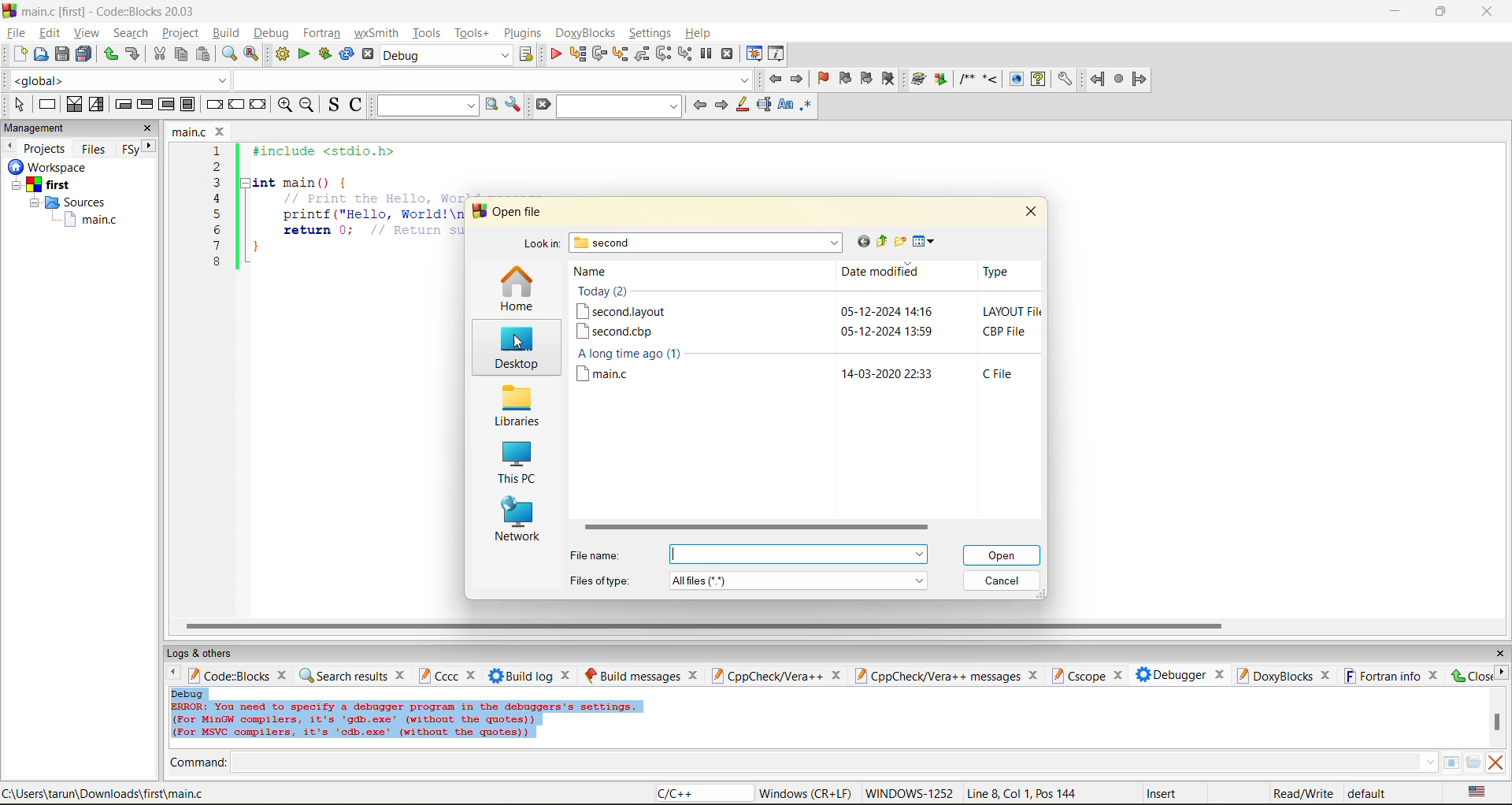  Describe the element at coordinates (472, 33) in the screenshot. I see `tools+` at that location.